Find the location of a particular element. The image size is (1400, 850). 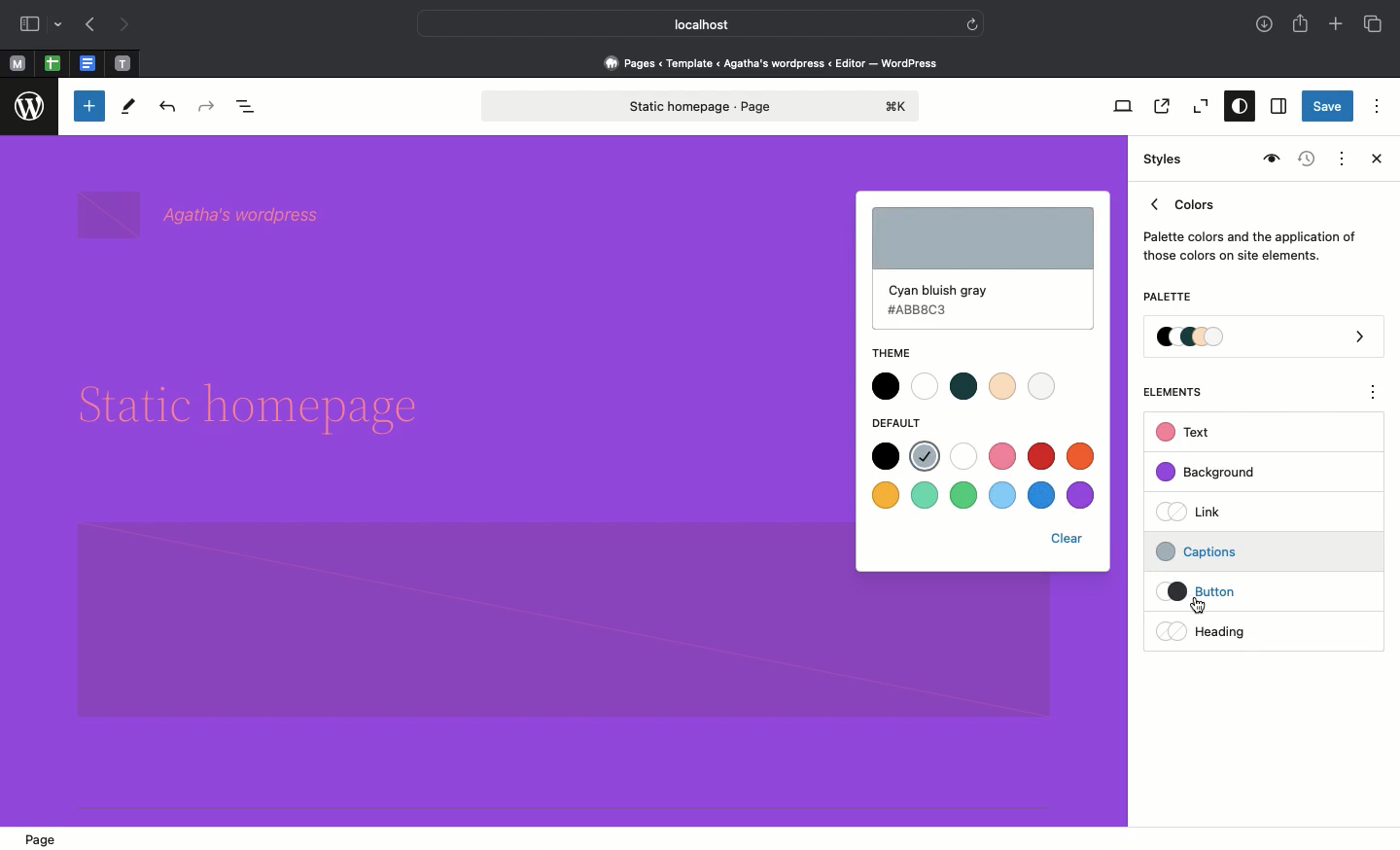

Next page is located at coordinates (124, 25).